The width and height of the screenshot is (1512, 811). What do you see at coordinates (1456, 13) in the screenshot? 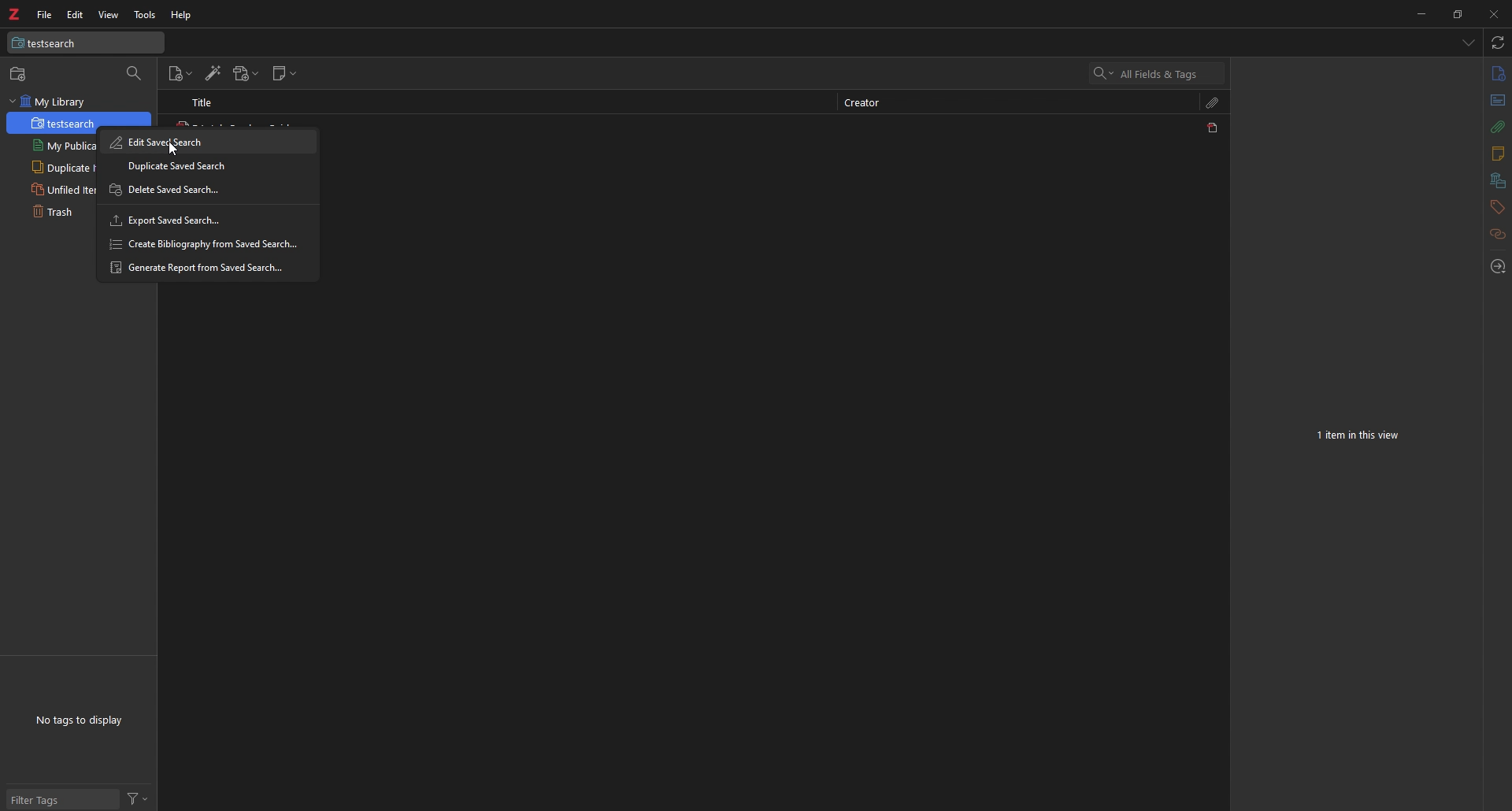
I see `resize` at bounding box center [1456, 13].